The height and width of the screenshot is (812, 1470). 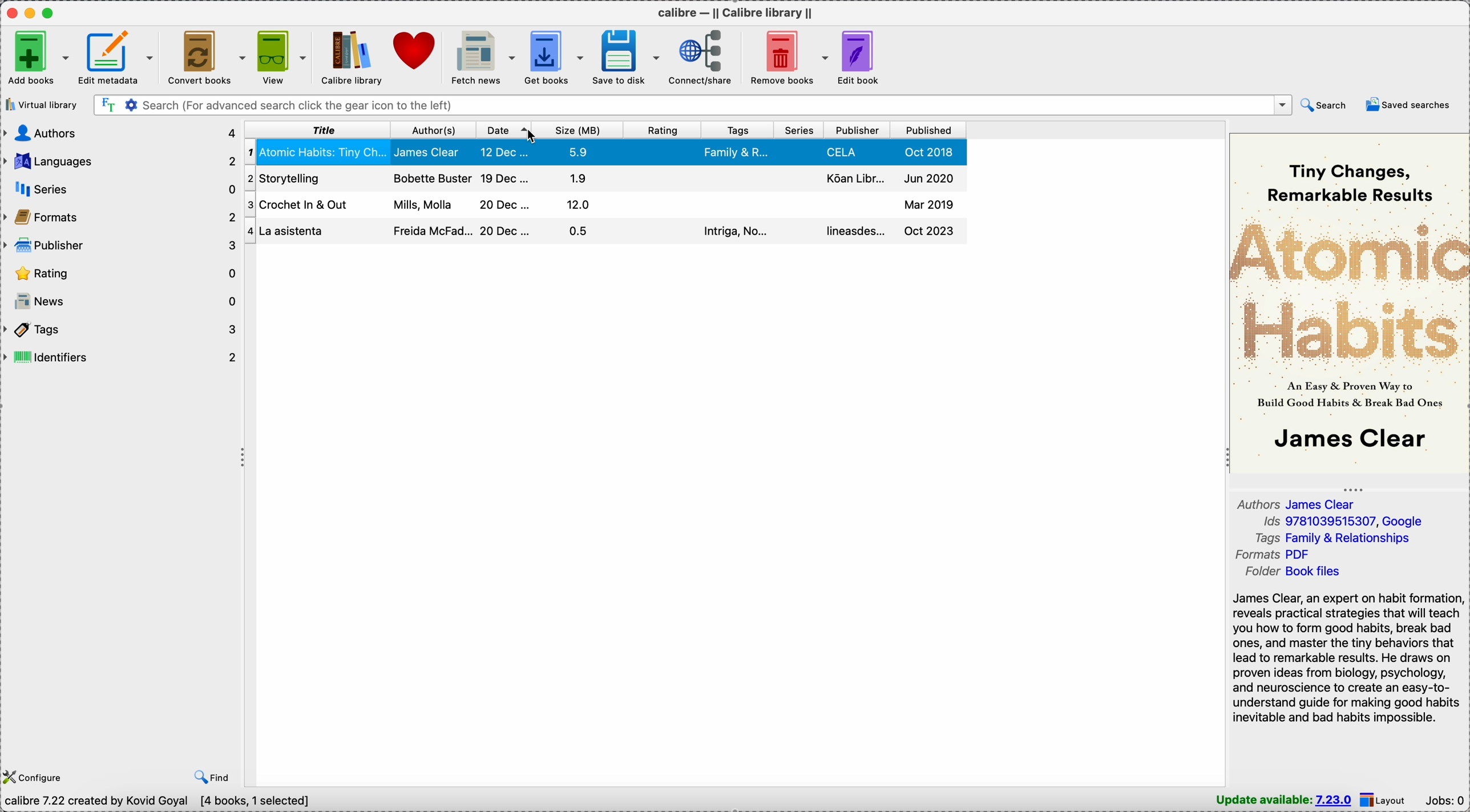 I want to click on save to disk, so click(x=627, y=56).